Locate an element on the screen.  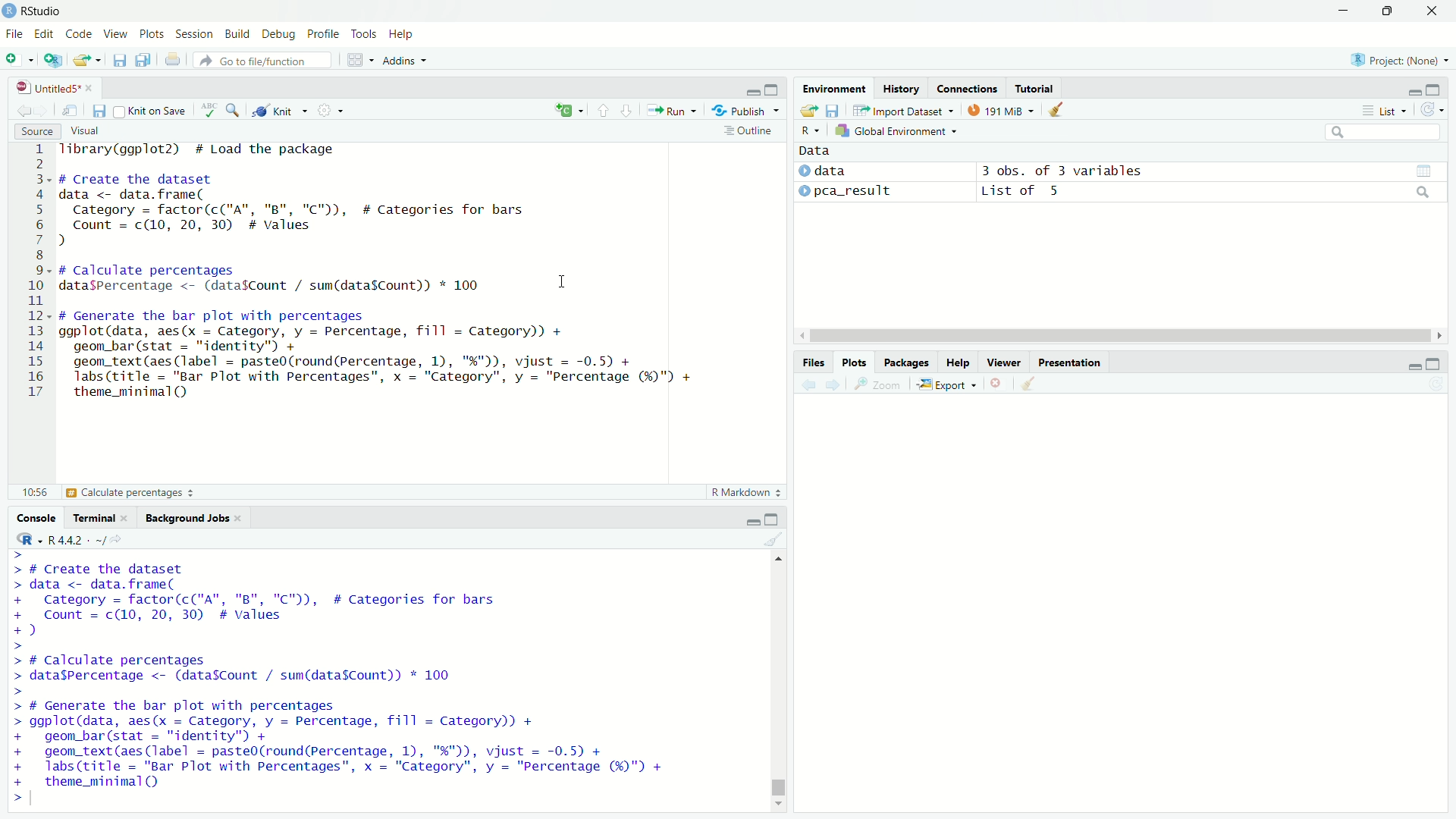
history is located at coordinates (901, 89).